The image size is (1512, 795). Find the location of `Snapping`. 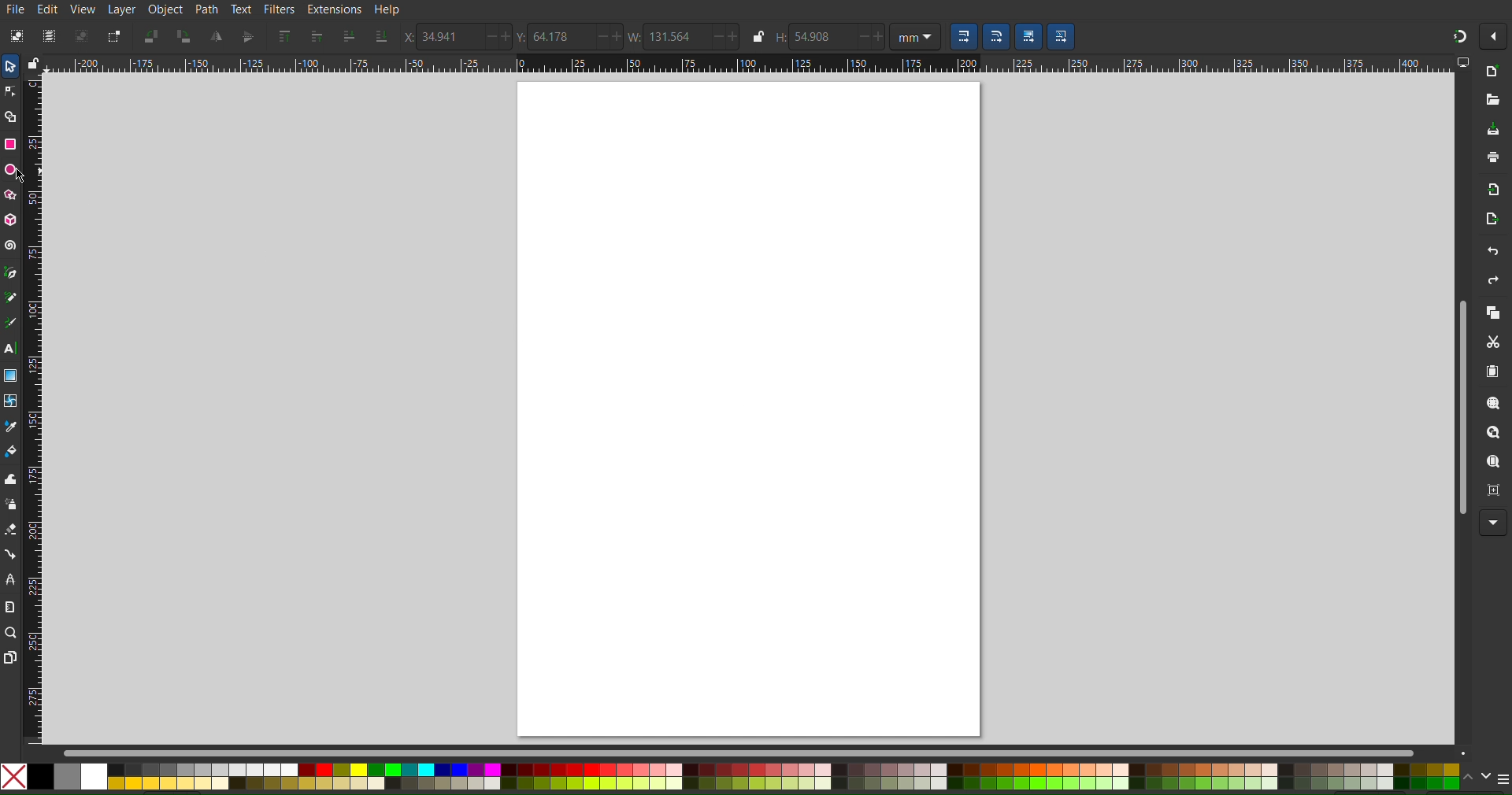

Snapping is located at coordinates (1455, 35).